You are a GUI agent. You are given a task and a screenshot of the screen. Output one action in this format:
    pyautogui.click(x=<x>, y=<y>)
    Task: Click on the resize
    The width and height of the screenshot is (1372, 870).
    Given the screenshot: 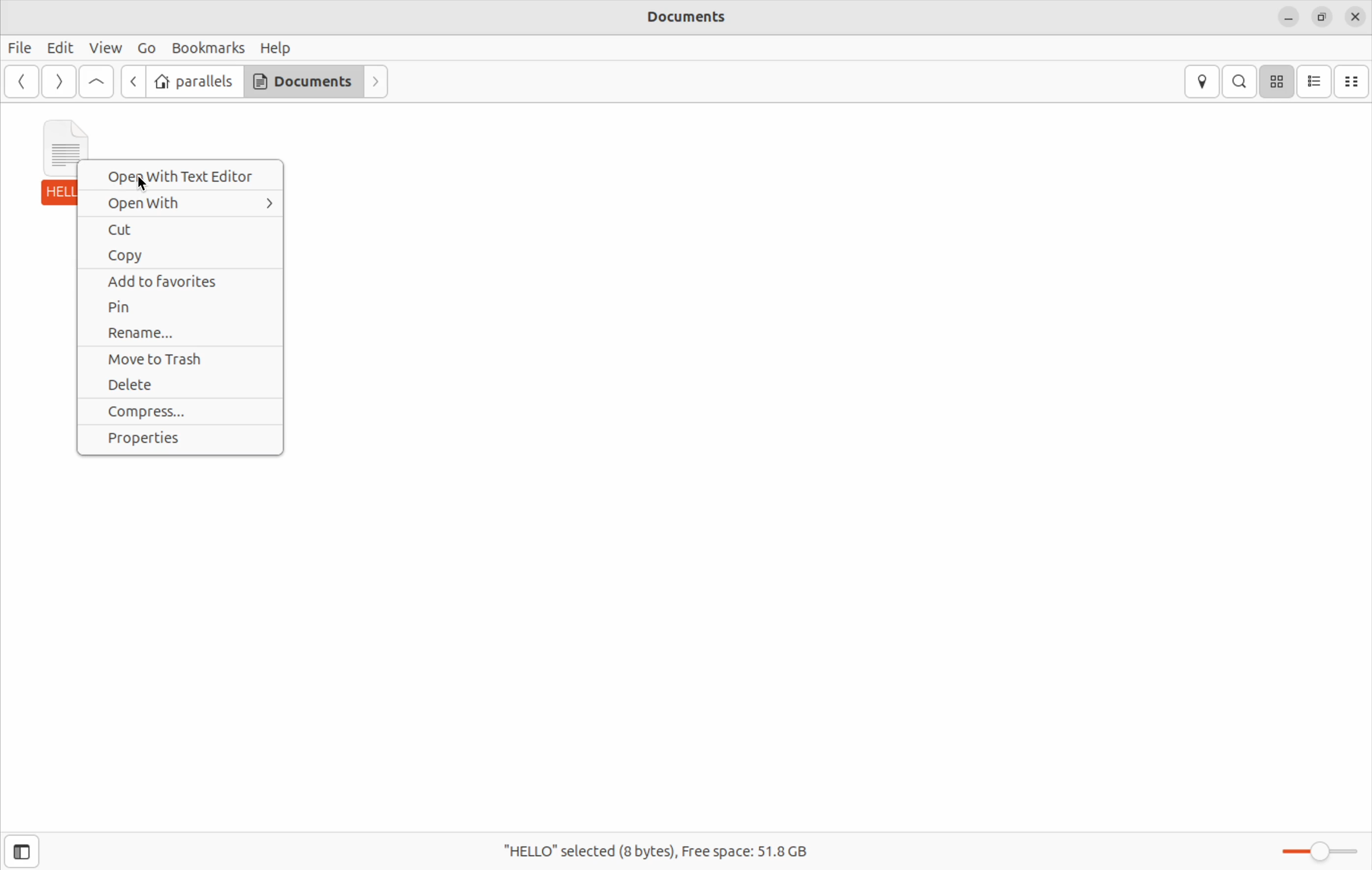 What is the action you would take?
    pyautogui.click(x=1321, y=17)
    